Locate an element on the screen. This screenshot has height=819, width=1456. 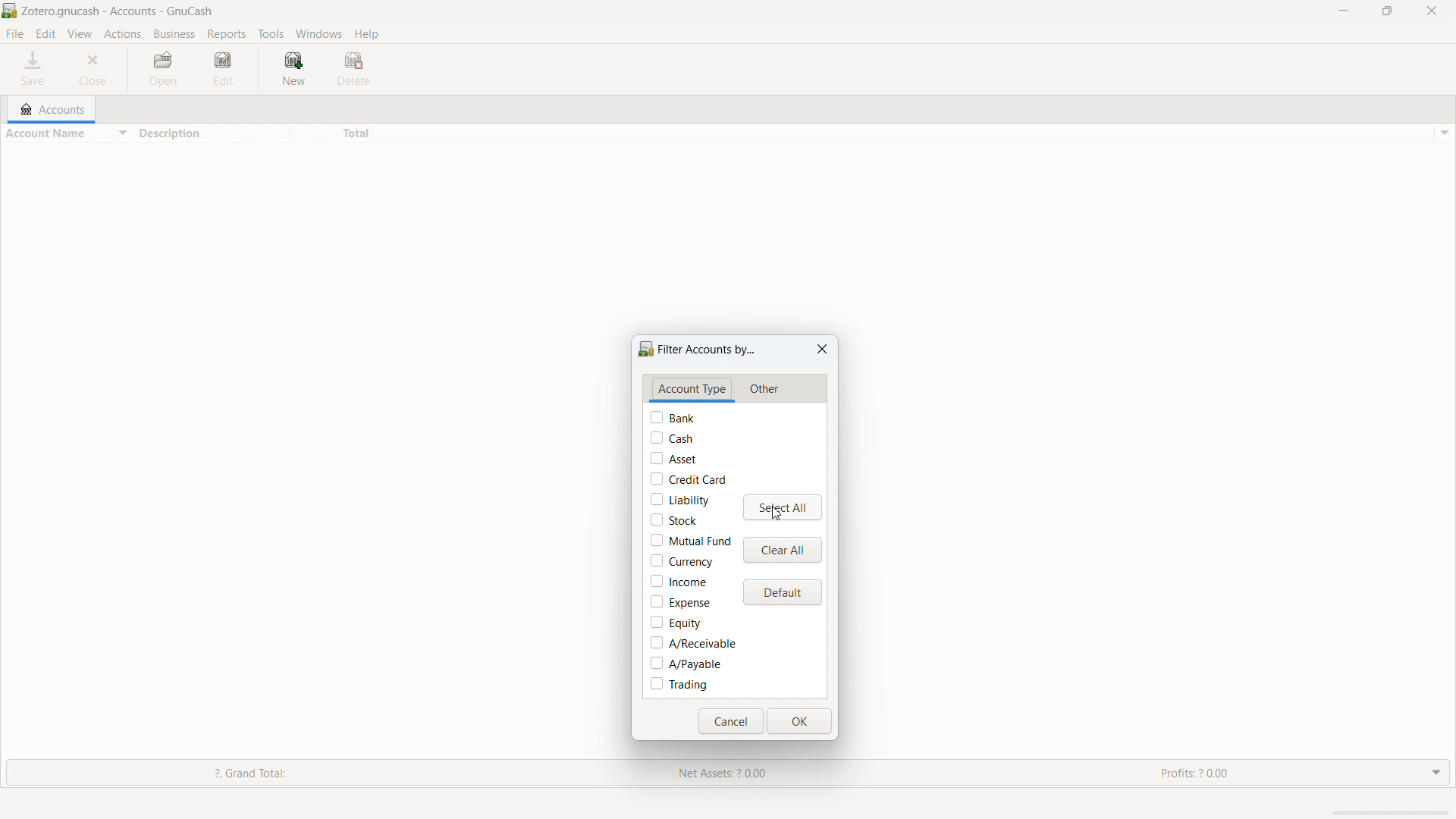
expense is located at coordinates (680, 602).